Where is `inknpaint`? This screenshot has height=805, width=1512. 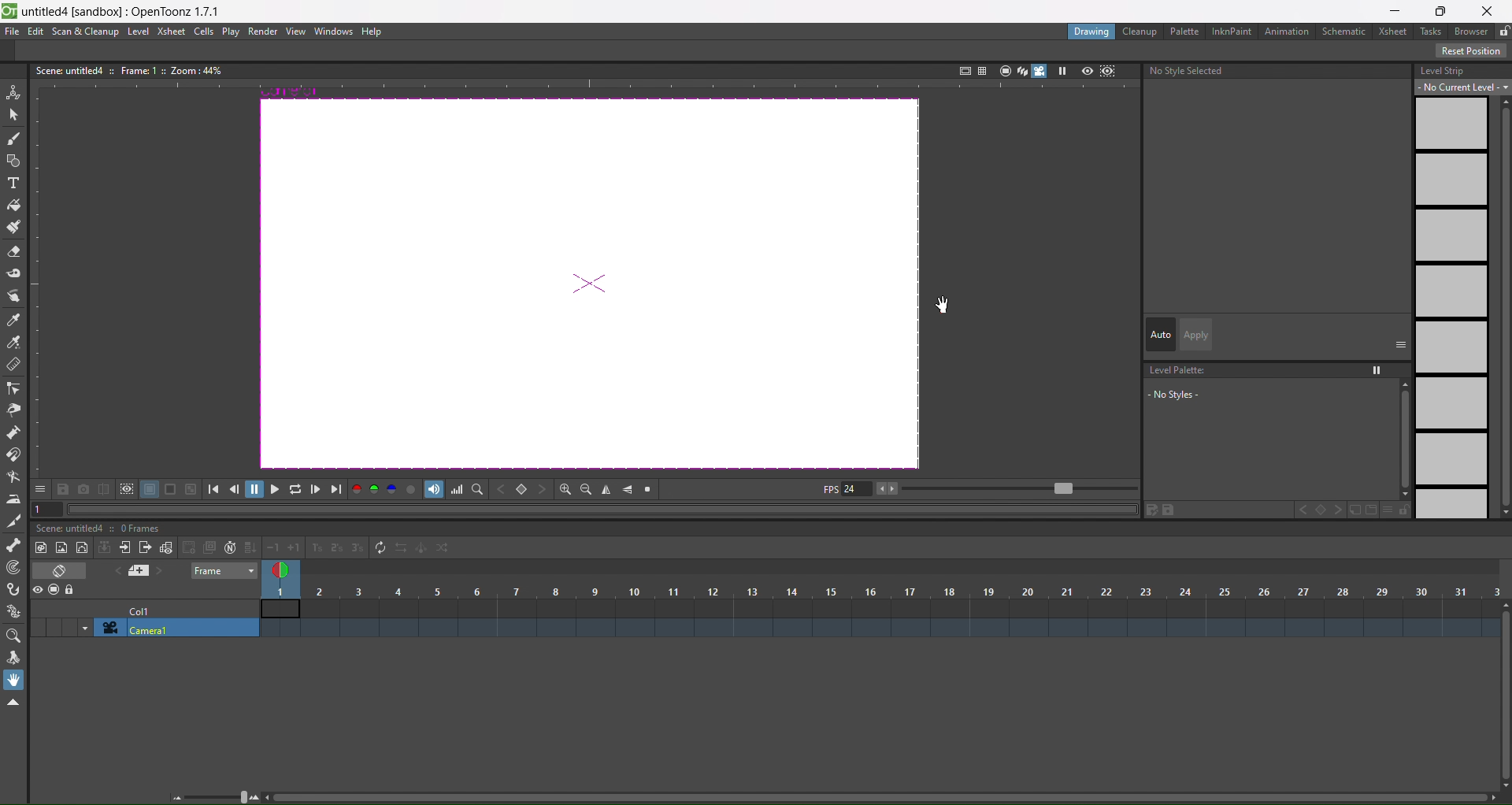
inknpaint is located at coordinates (1232, 30).